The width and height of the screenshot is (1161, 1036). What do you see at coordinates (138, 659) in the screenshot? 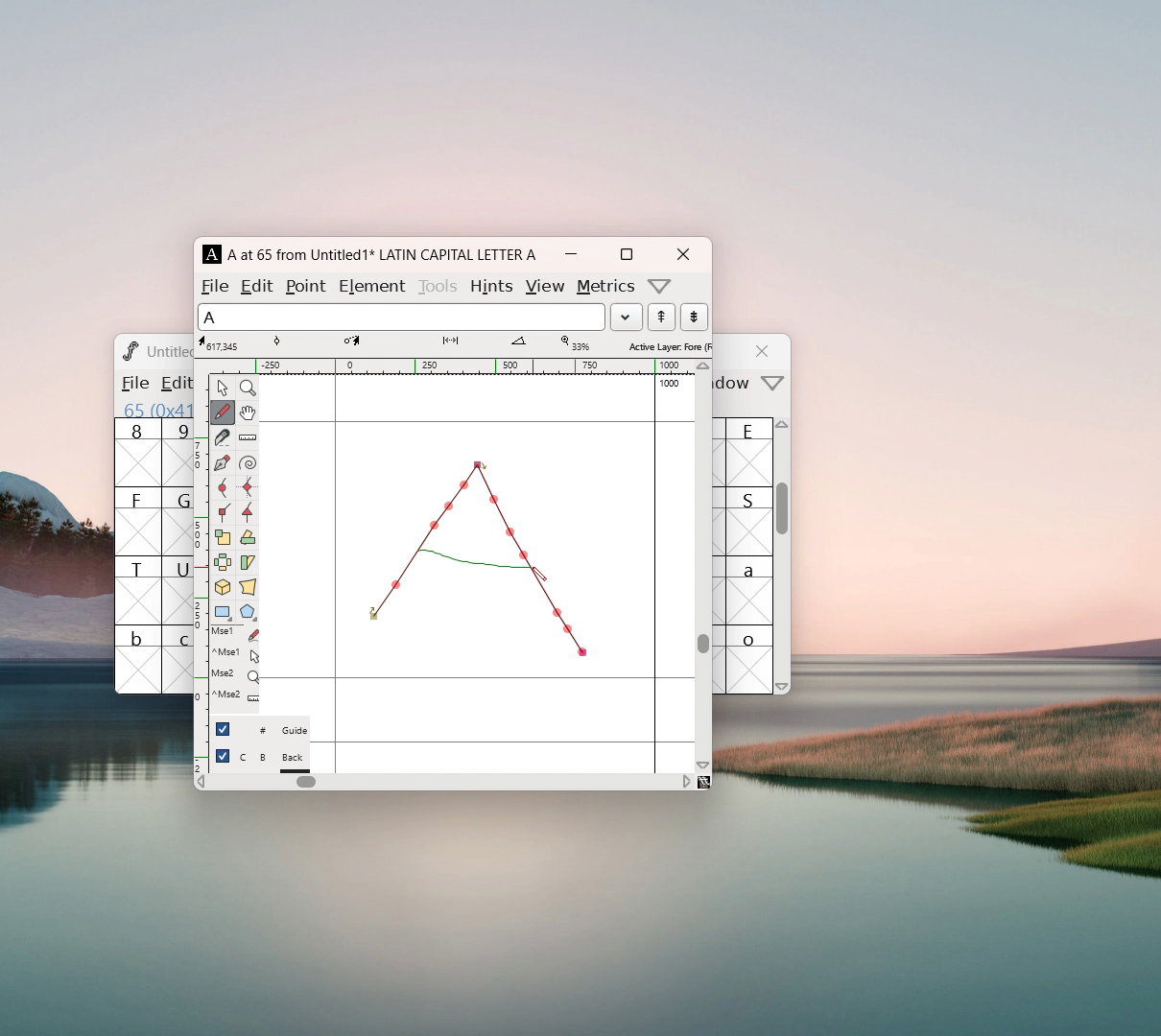
I see `b` at bounding box center [138, 659].